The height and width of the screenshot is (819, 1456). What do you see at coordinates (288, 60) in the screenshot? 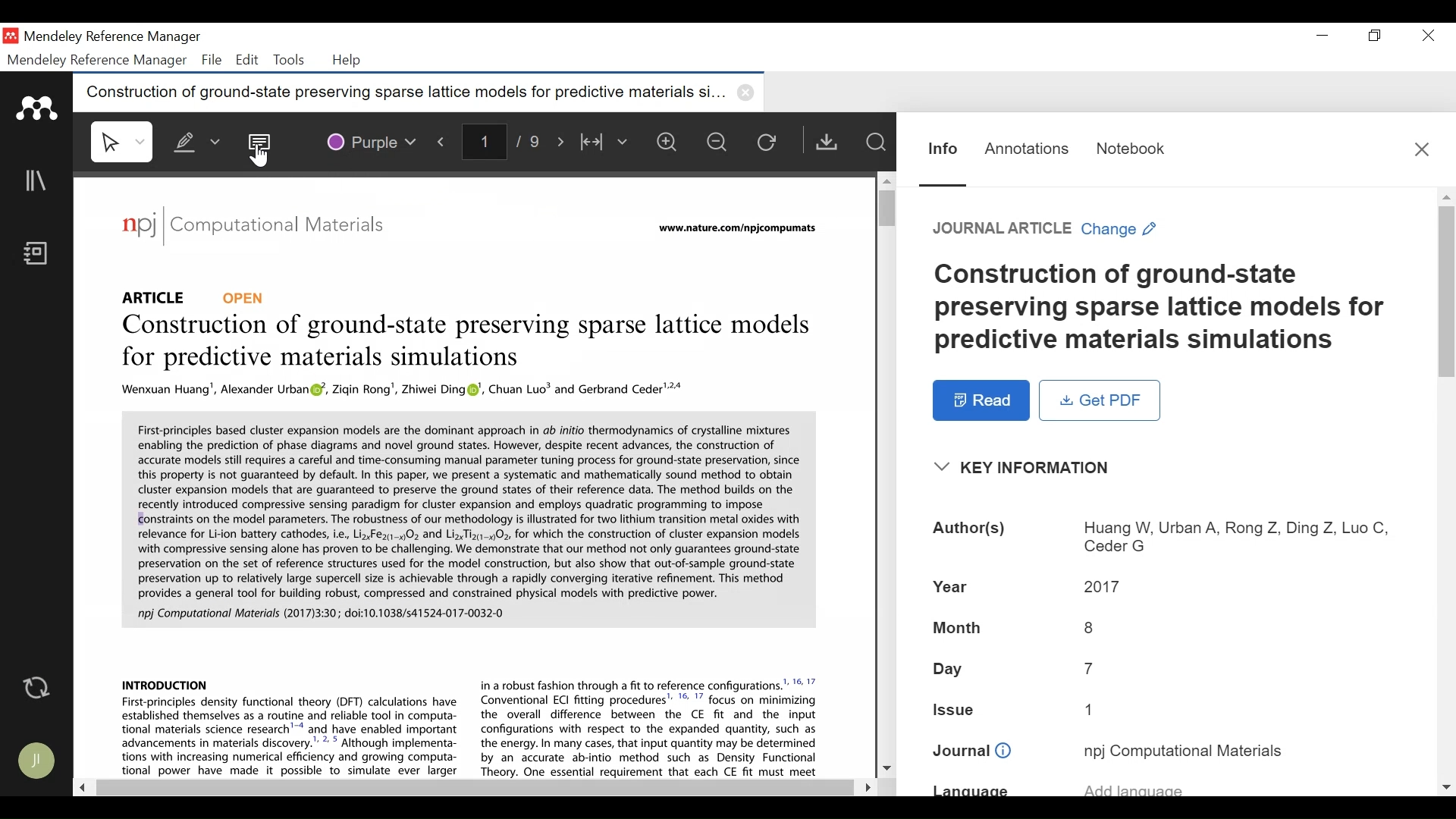
I see `Tools` at bounding box center [288, 60].